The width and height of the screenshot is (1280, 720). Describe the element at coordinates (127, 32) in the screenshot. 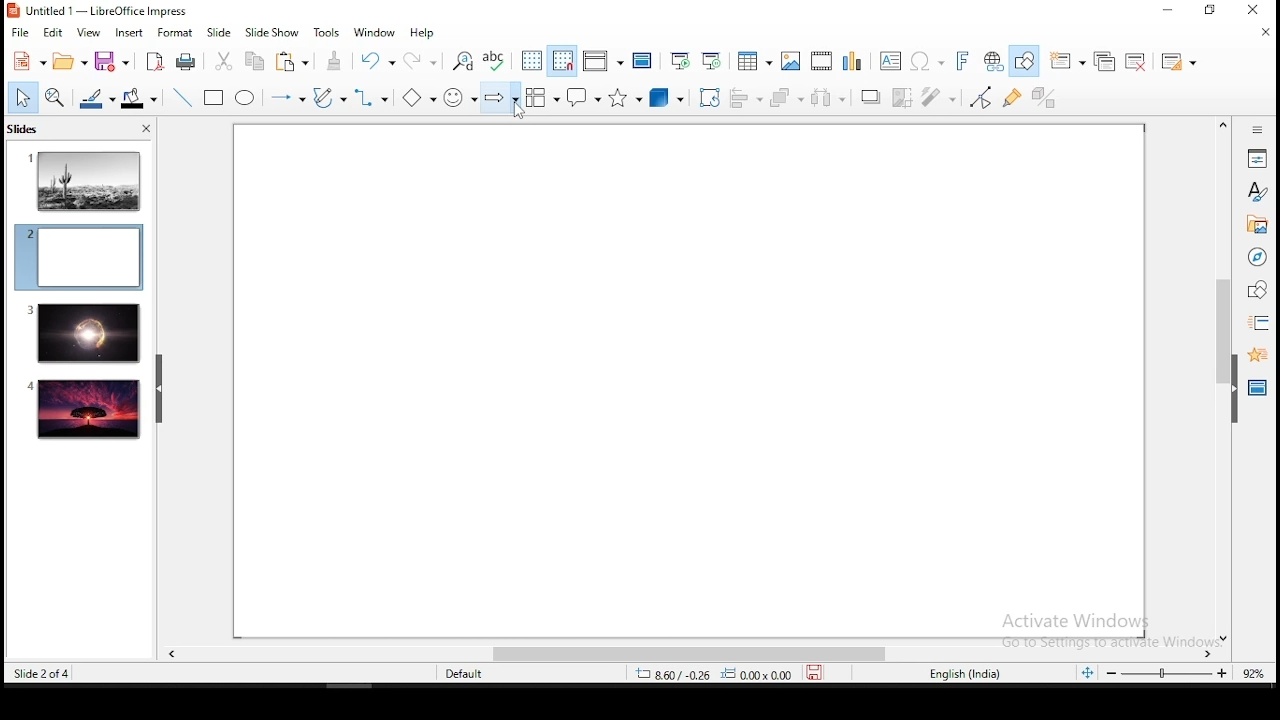

I see `insert` at that location.